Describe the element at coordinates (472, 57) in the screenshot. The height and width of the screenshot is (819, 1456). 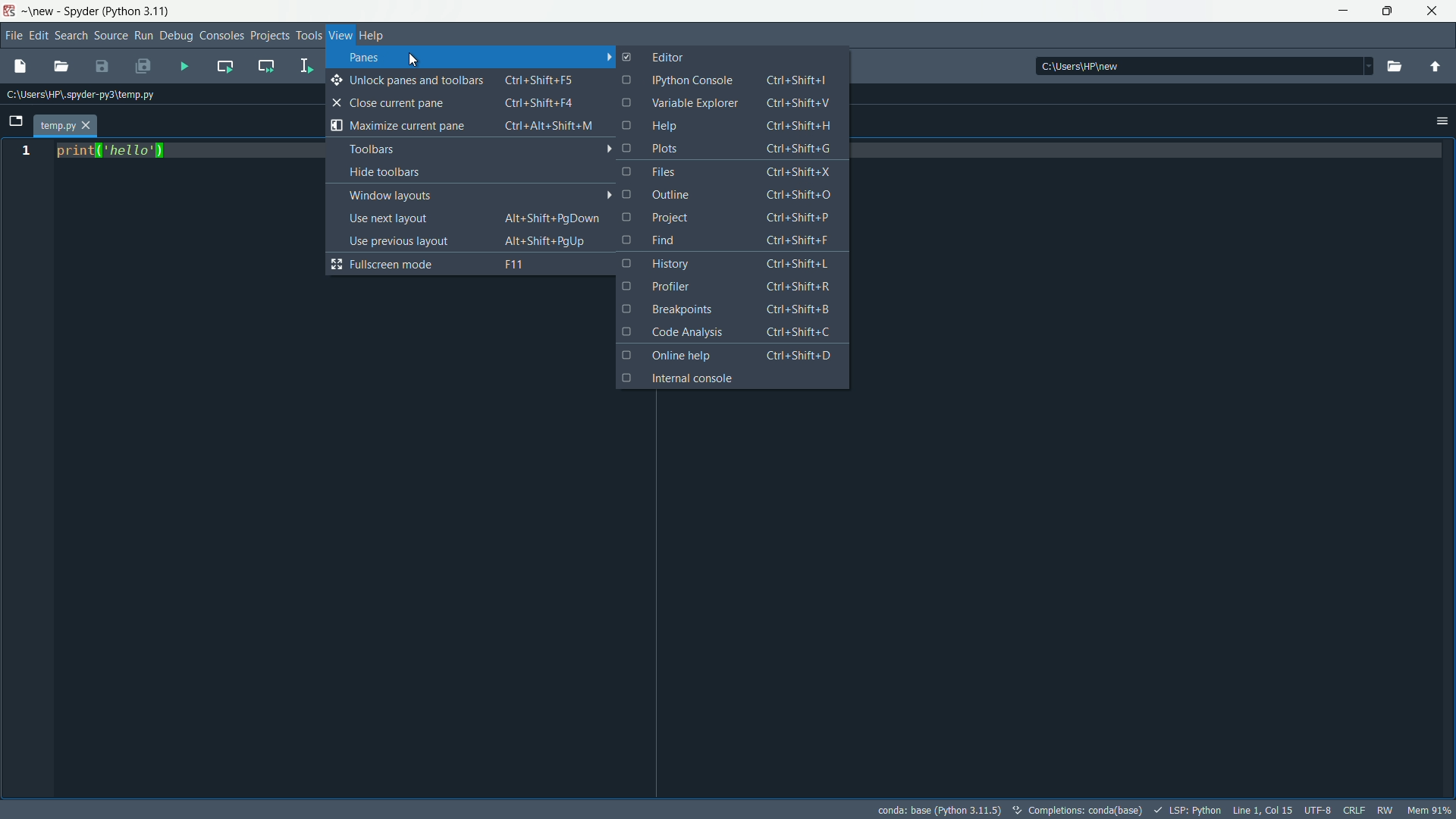
I see `panes` at that location.